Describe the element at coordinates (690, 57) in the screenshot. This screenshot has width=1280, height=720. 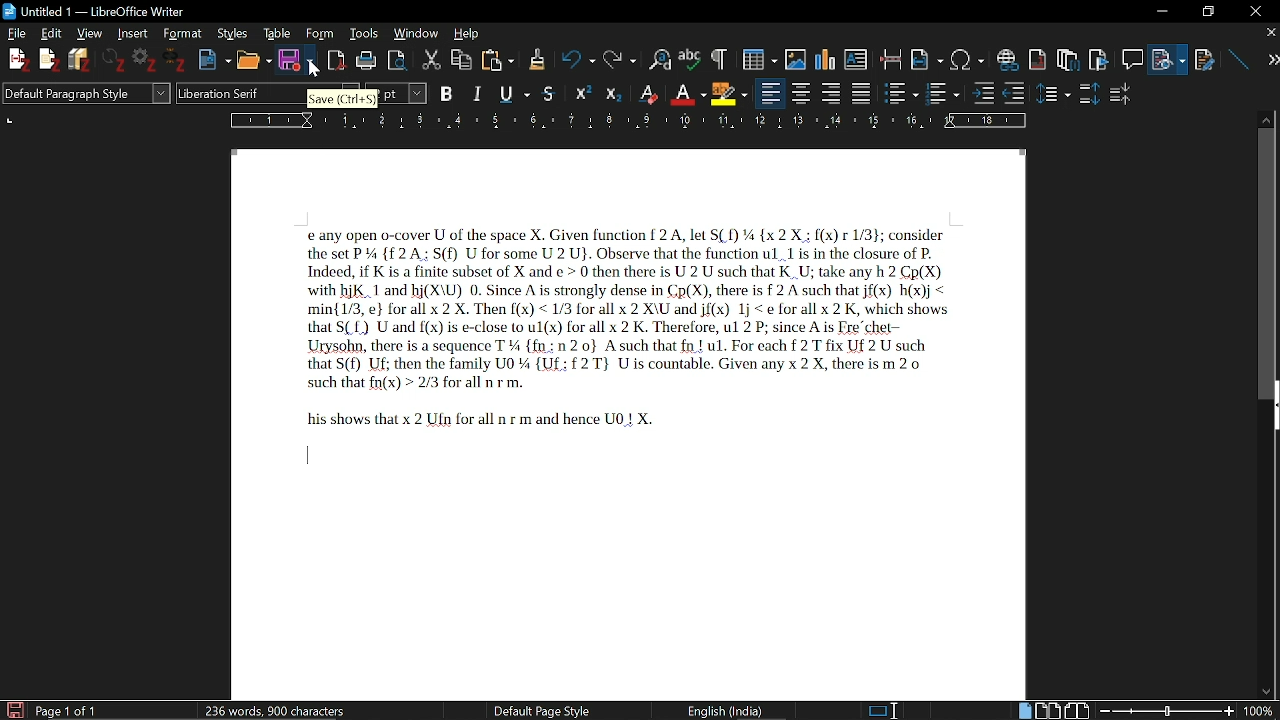
I see `Spell check` at that location.